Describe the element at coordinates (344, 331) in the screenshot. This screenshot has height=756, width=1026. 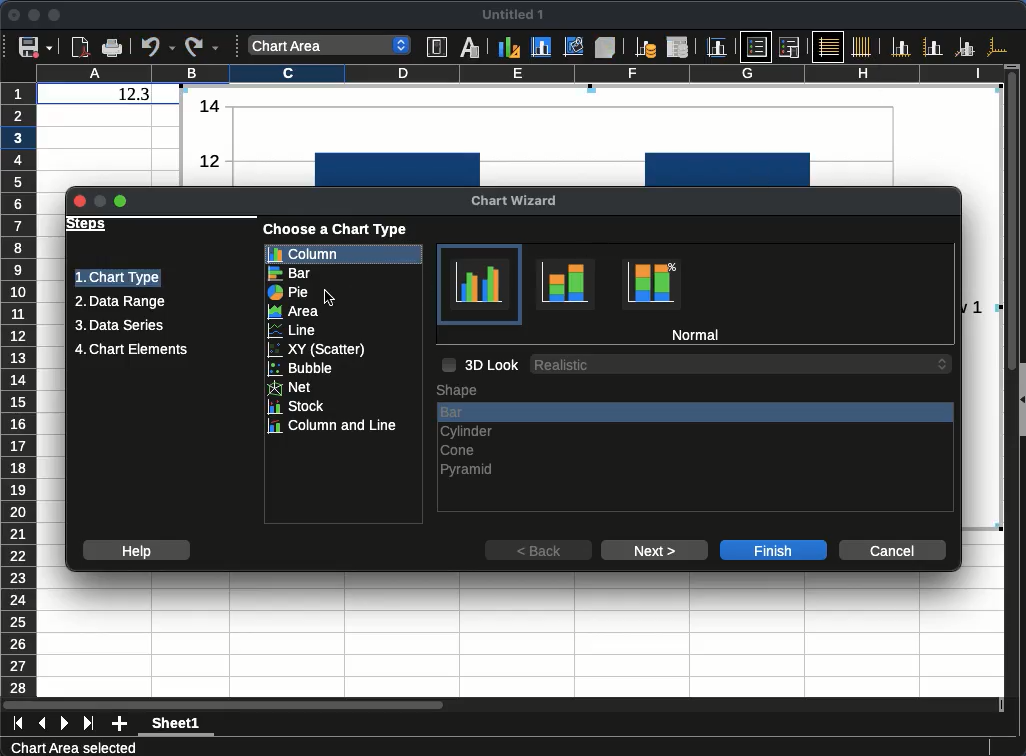
I see `line` at that location.